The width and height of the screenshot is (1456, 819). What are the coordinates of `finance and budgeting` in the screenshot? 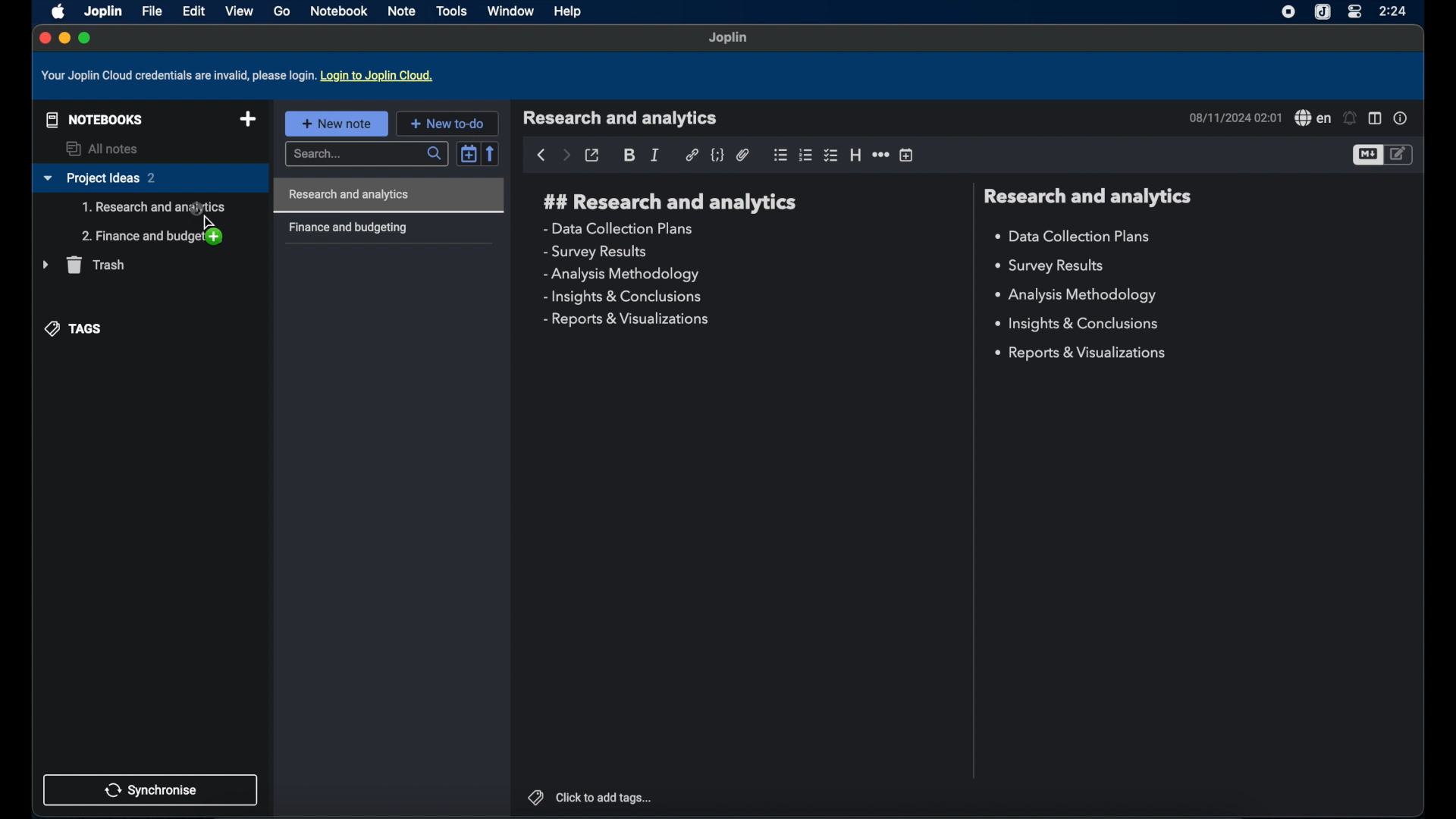 It's located at (347, 228).